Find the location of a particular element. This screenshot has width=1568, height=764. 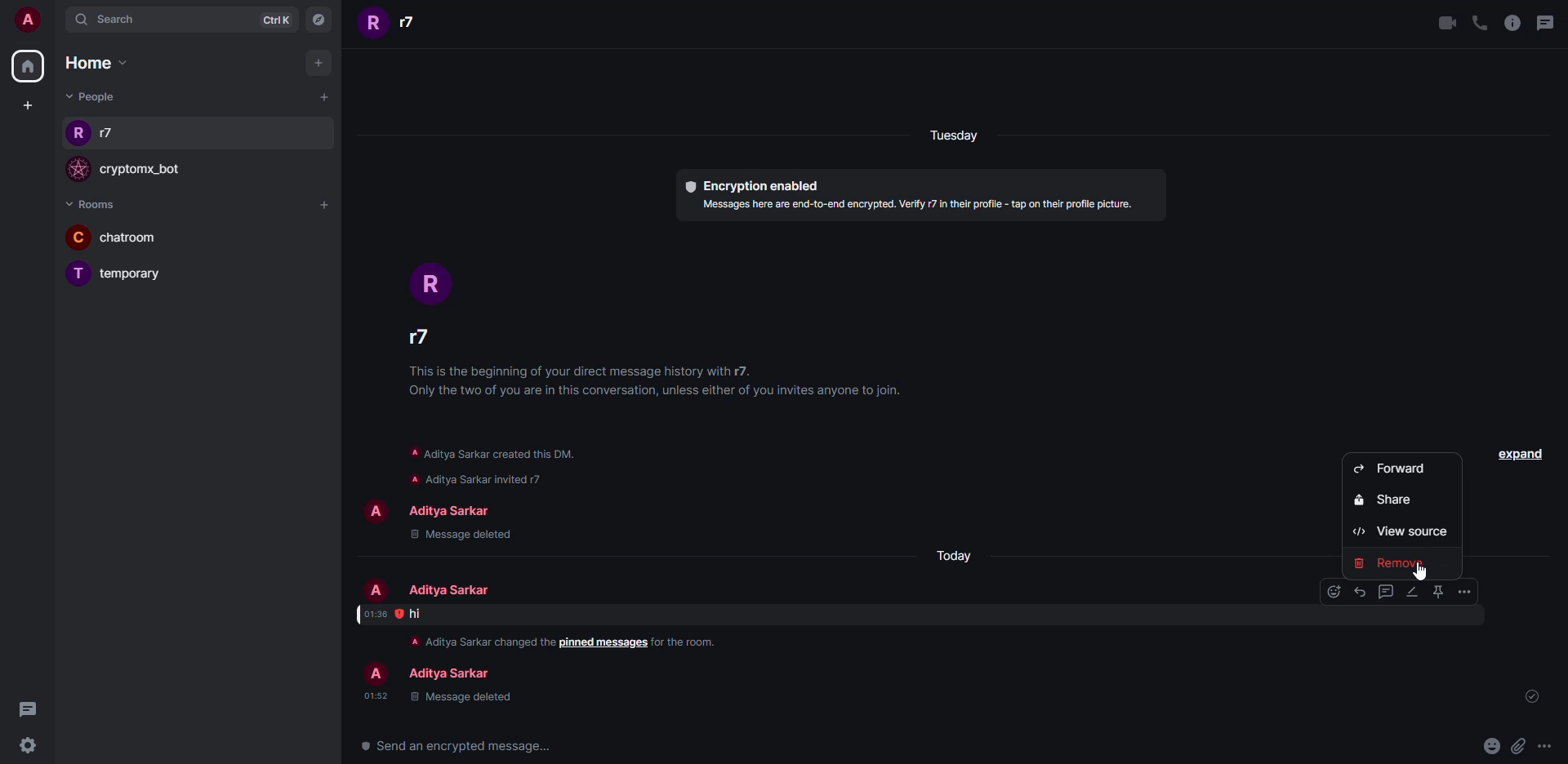

profile is located at coordinates (375, 675).